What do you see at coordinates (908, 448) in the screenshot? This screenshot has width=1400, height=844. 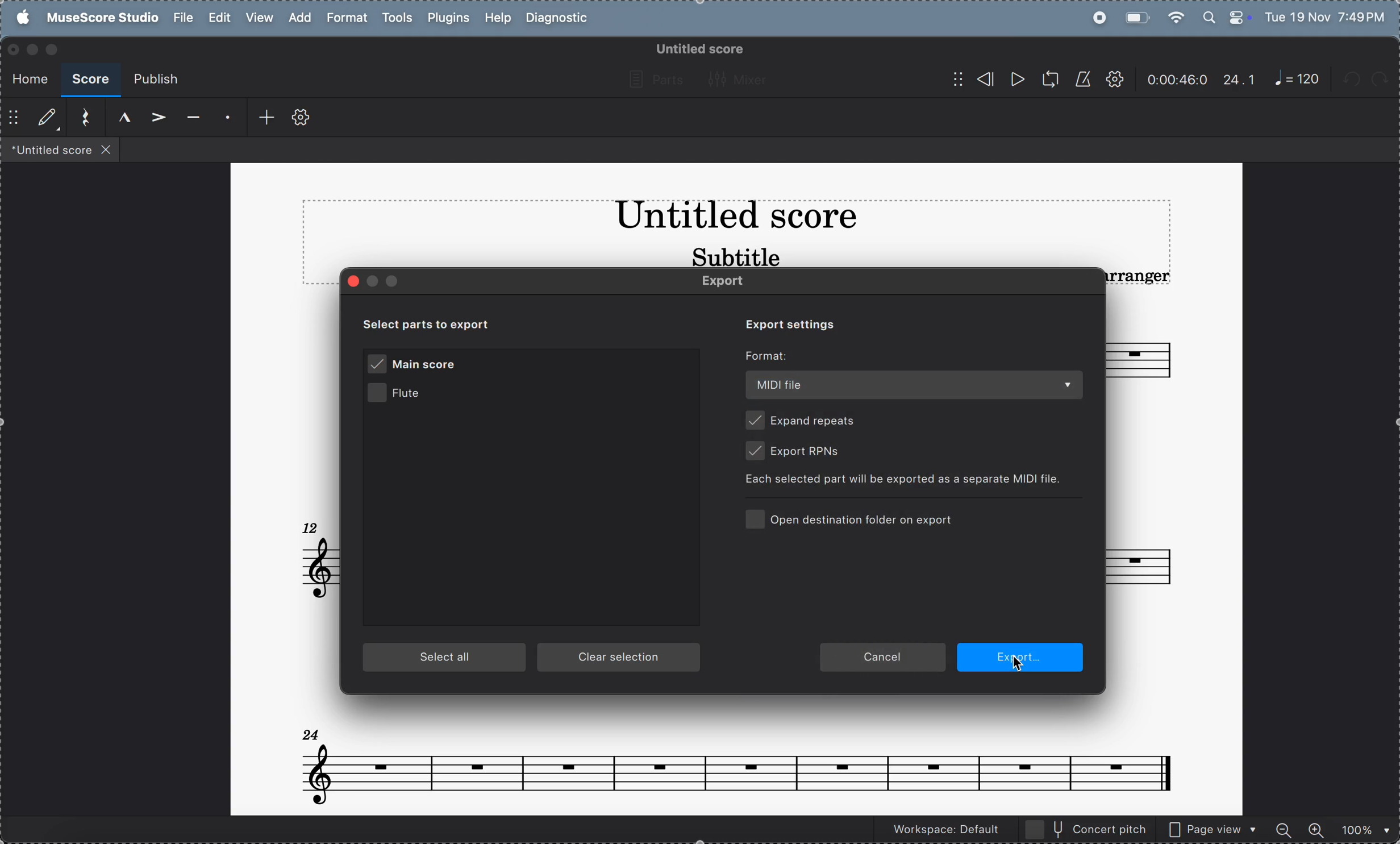 I see `export RPNs` at bounding box center [908, 448].